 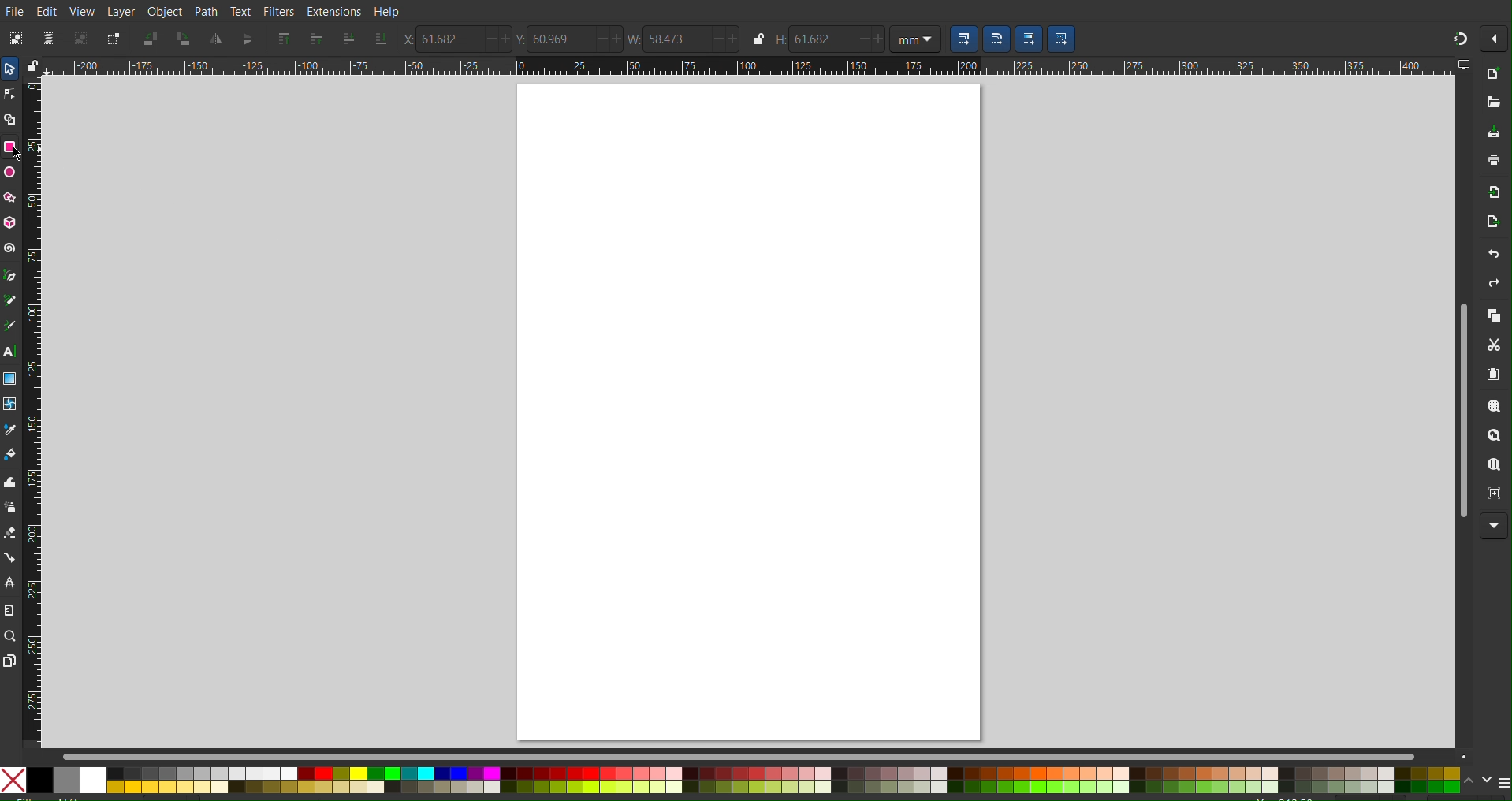 What do you see at coordinates (563, 39) in the screenshot?
I see `60.969` at bounding box center [563, 39].